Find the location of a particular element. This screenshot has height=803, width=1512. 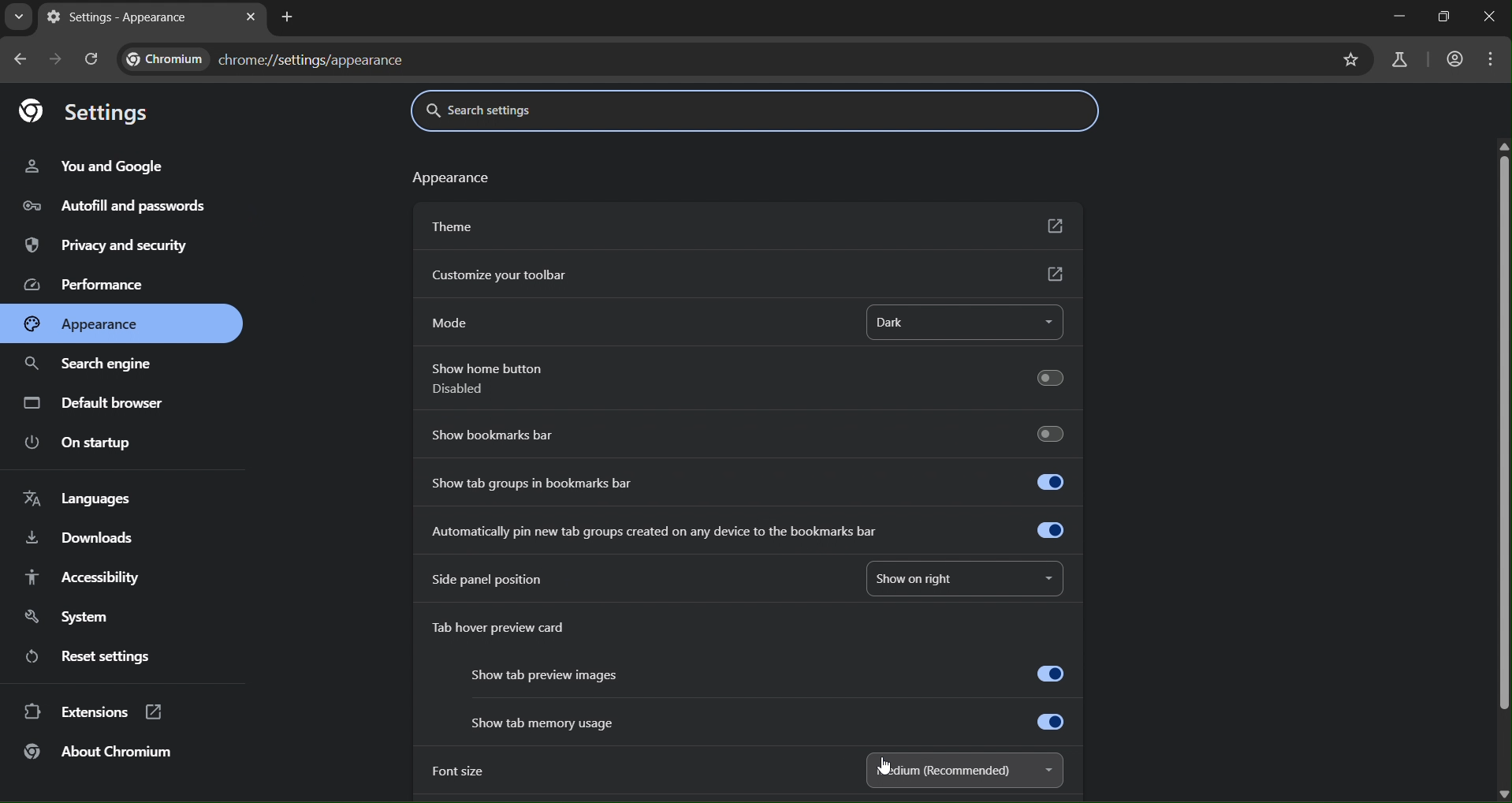

font size is located at coordinates (462, 772).